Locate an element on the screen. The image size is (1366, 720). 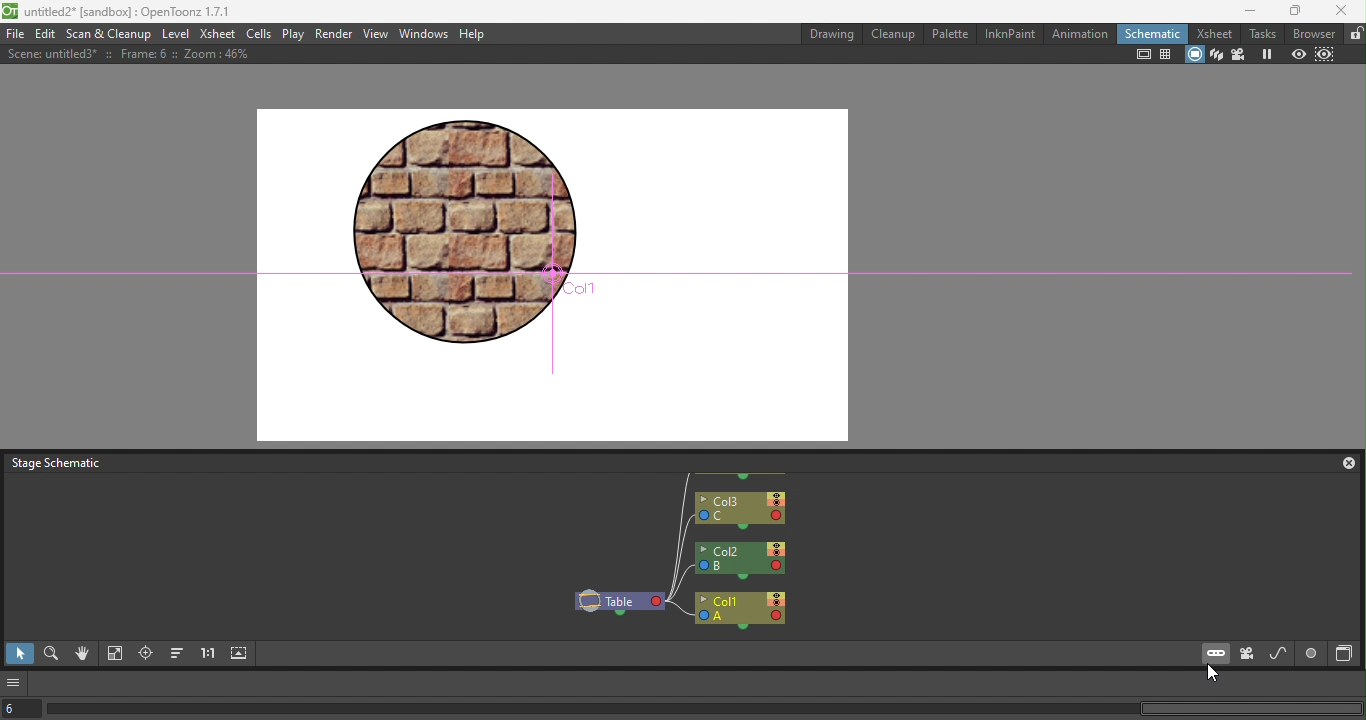
untitled2* [sandbox]:OpenToonz 1.7.1 is located at coordinates (119, 13).